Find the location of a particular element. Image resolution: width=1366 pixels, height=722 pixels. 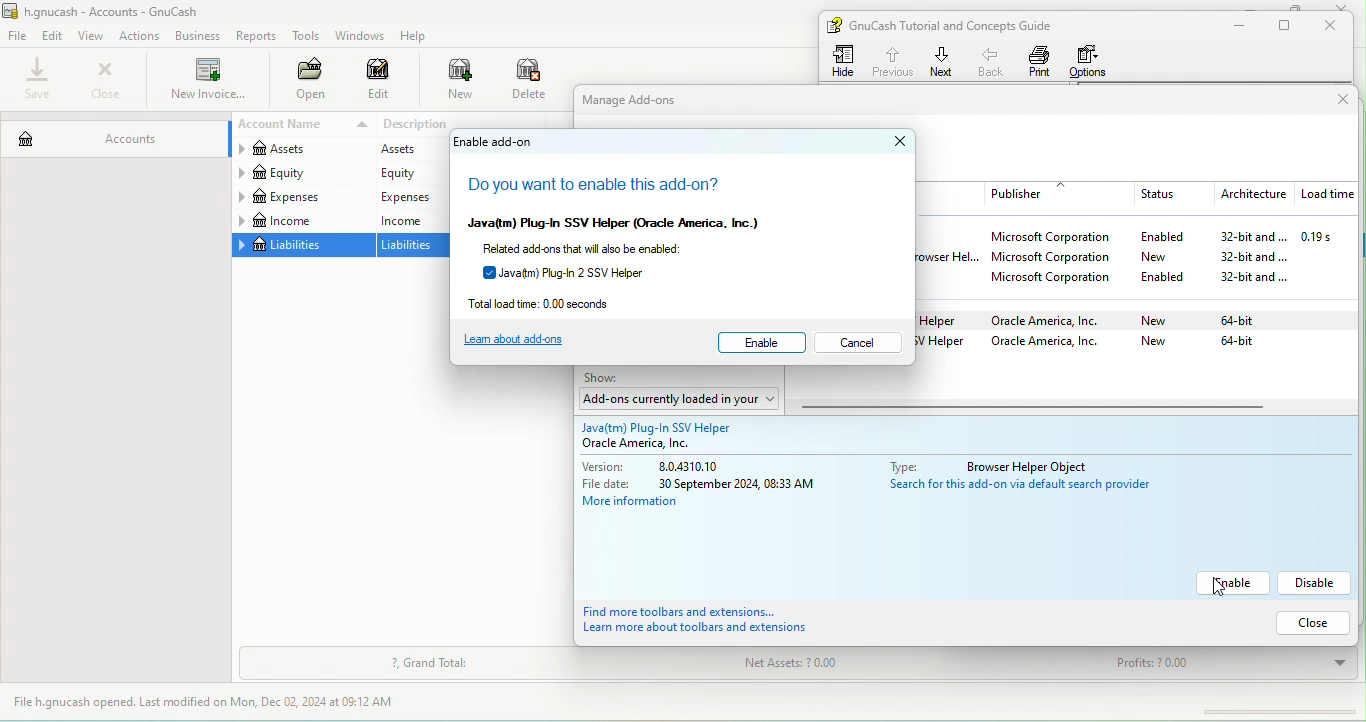

enabled is located at coordinates (1162, 238).